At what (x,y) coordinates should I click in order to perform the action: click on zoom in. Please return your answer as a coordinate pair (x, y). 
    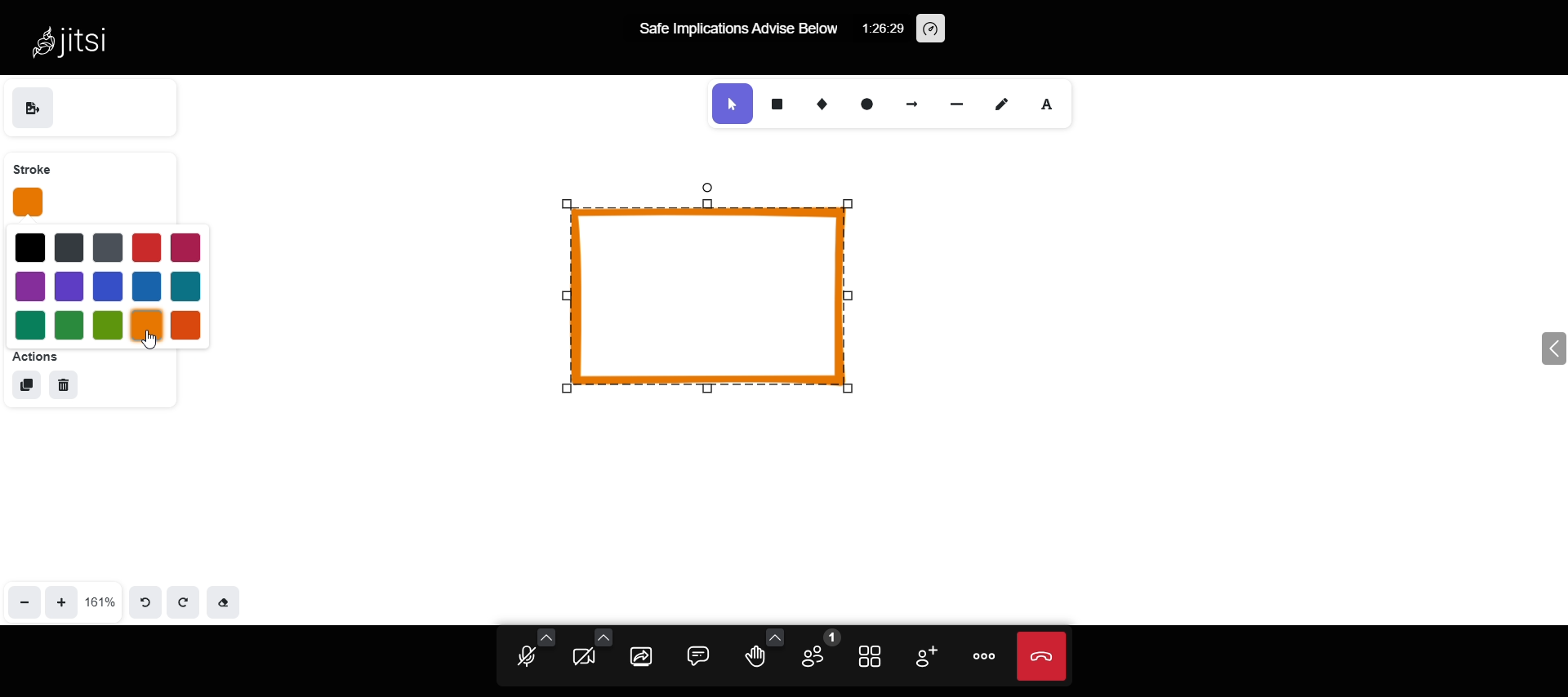
    Looking at the image, I should click on (59, 602).